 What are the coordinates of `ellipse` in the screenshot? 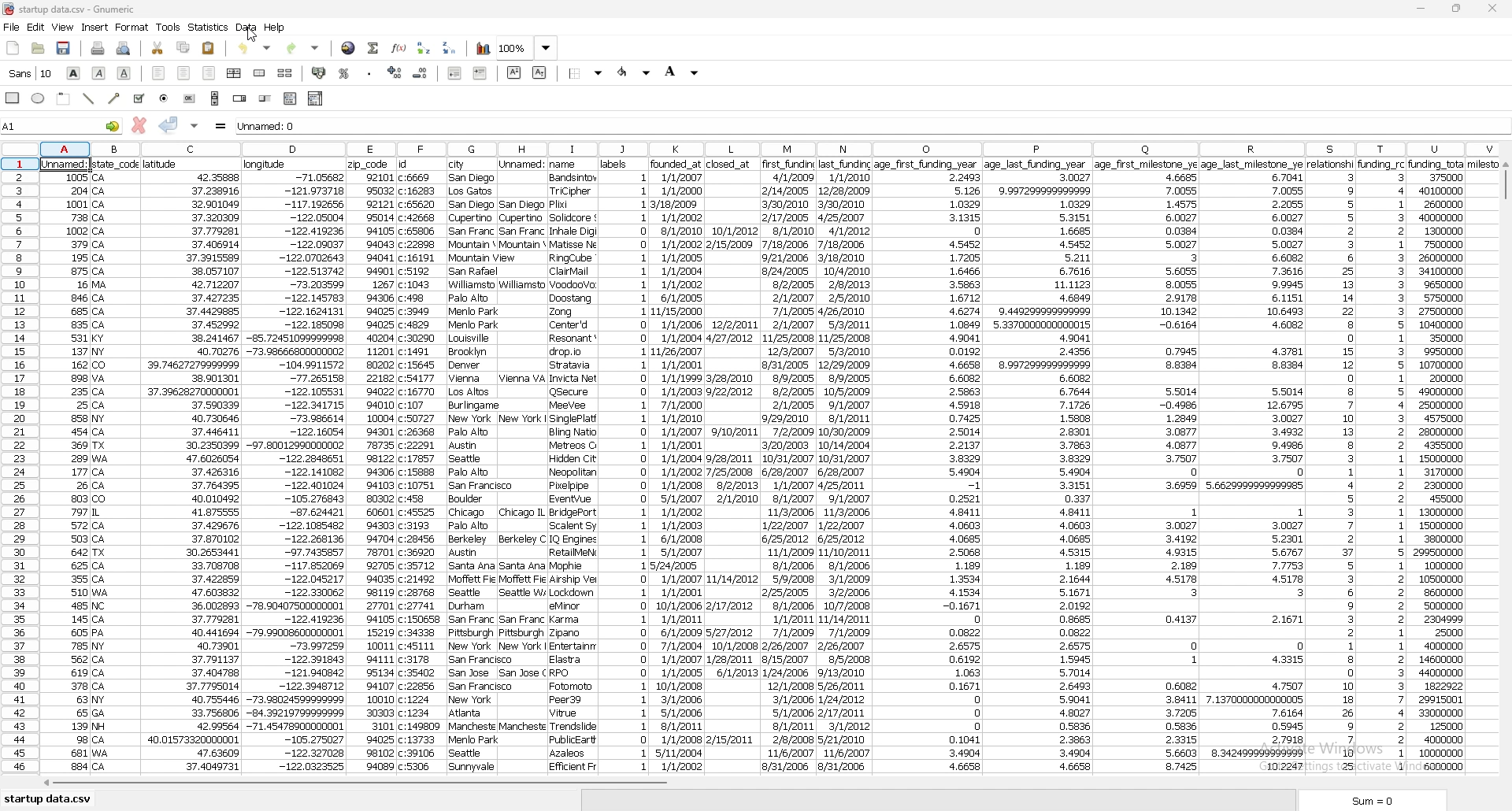 It's located at (39, 99).